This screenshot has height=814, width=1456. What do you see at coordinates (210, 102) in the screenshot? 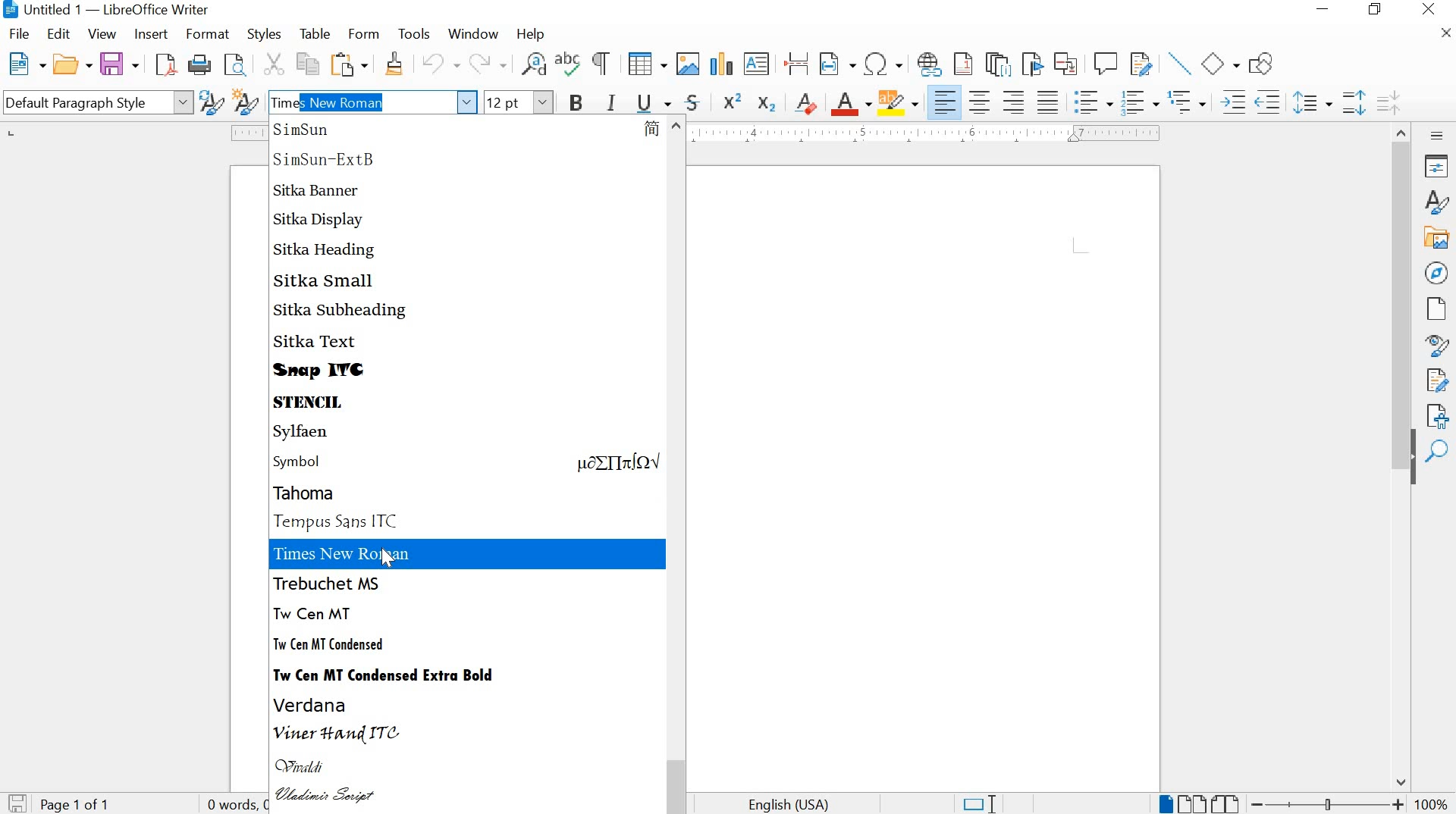
I see `UPDATE SELECTED STYLE` at bounding box center [210, 102].